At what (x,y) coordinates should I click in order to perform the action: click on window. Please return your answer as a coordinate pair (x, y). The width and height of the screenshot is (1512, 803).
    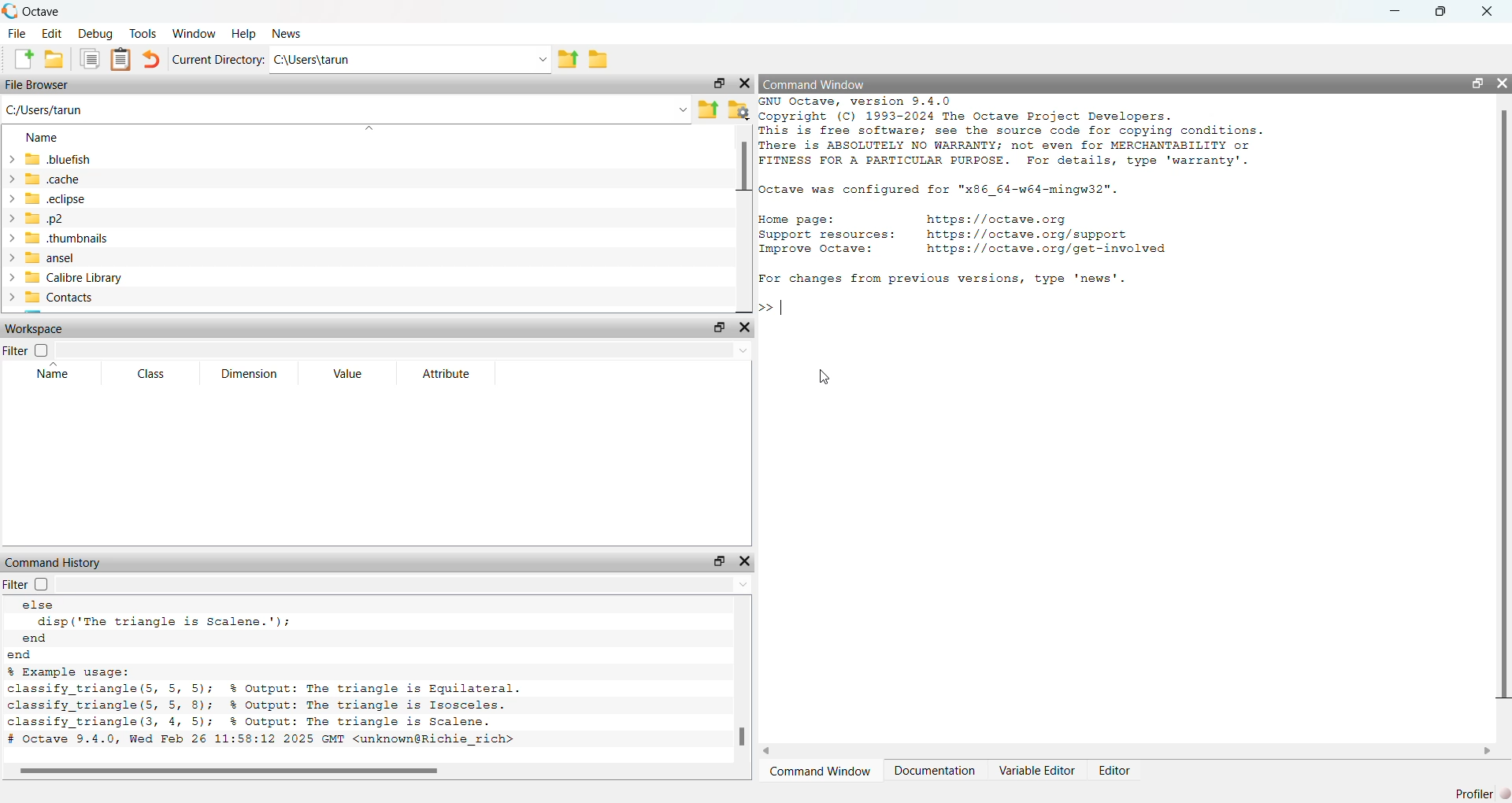
    Looking at the image, I should click on (195, 33).